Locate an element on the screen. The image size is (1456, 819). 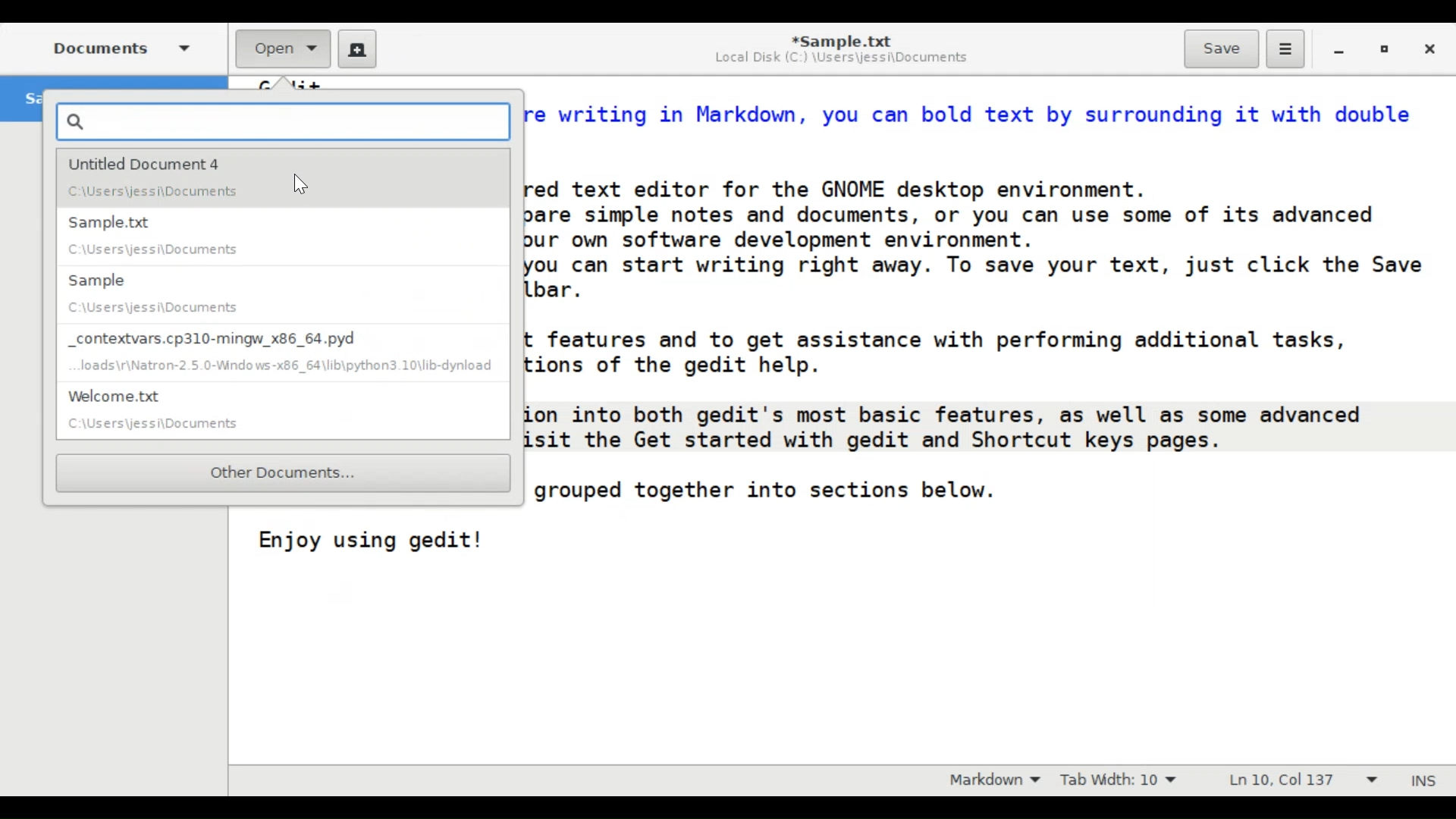
Application menu is located at coordinates (1285, 49).